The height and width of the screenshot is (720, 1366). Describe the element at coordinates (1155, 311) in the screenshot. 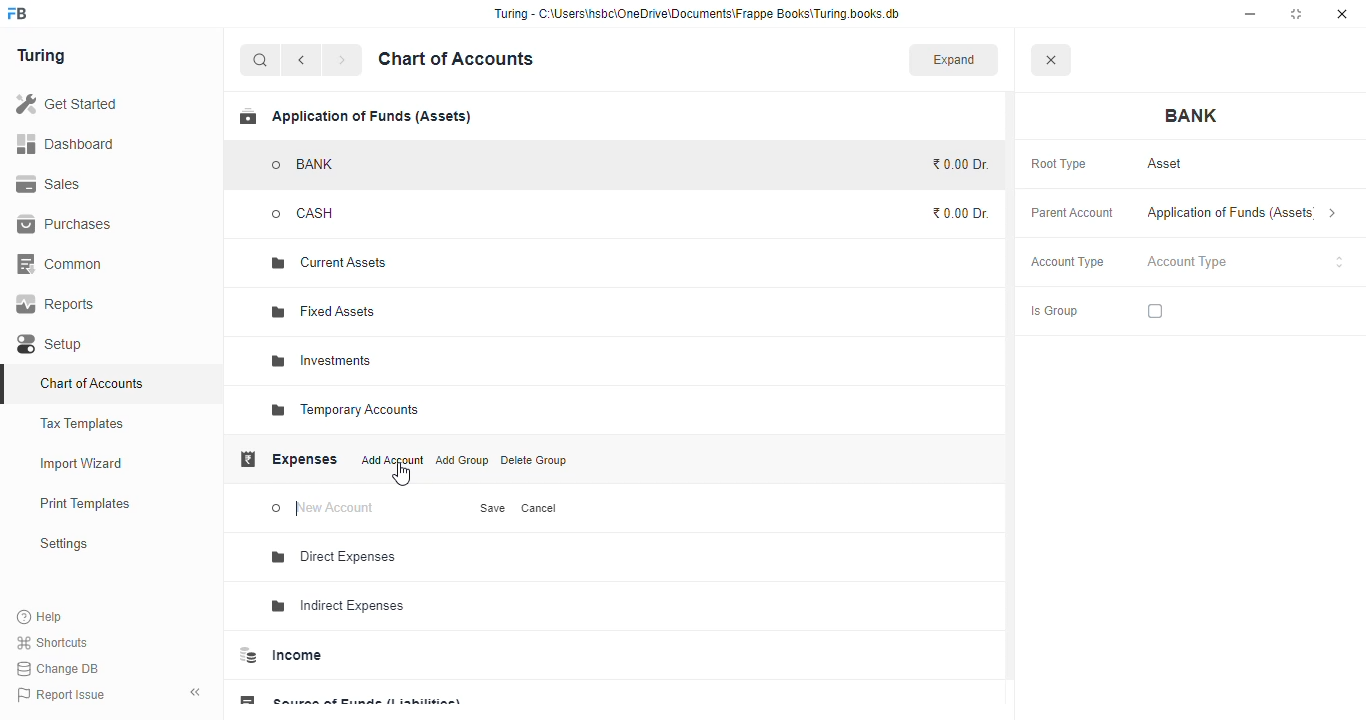

I see `checkbox` at that location.